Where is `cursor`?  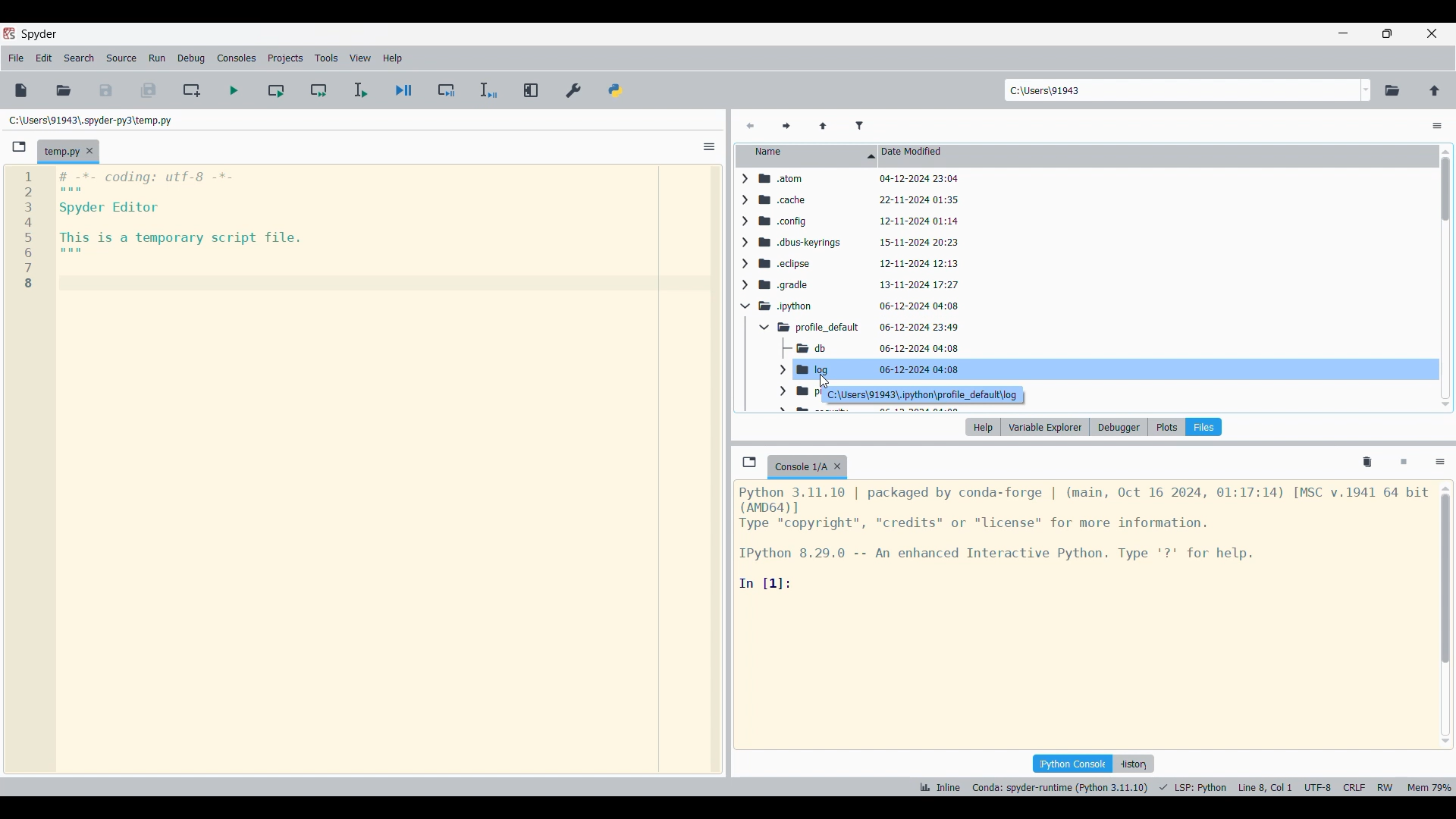 cursor is located at coordinates (824, 382).